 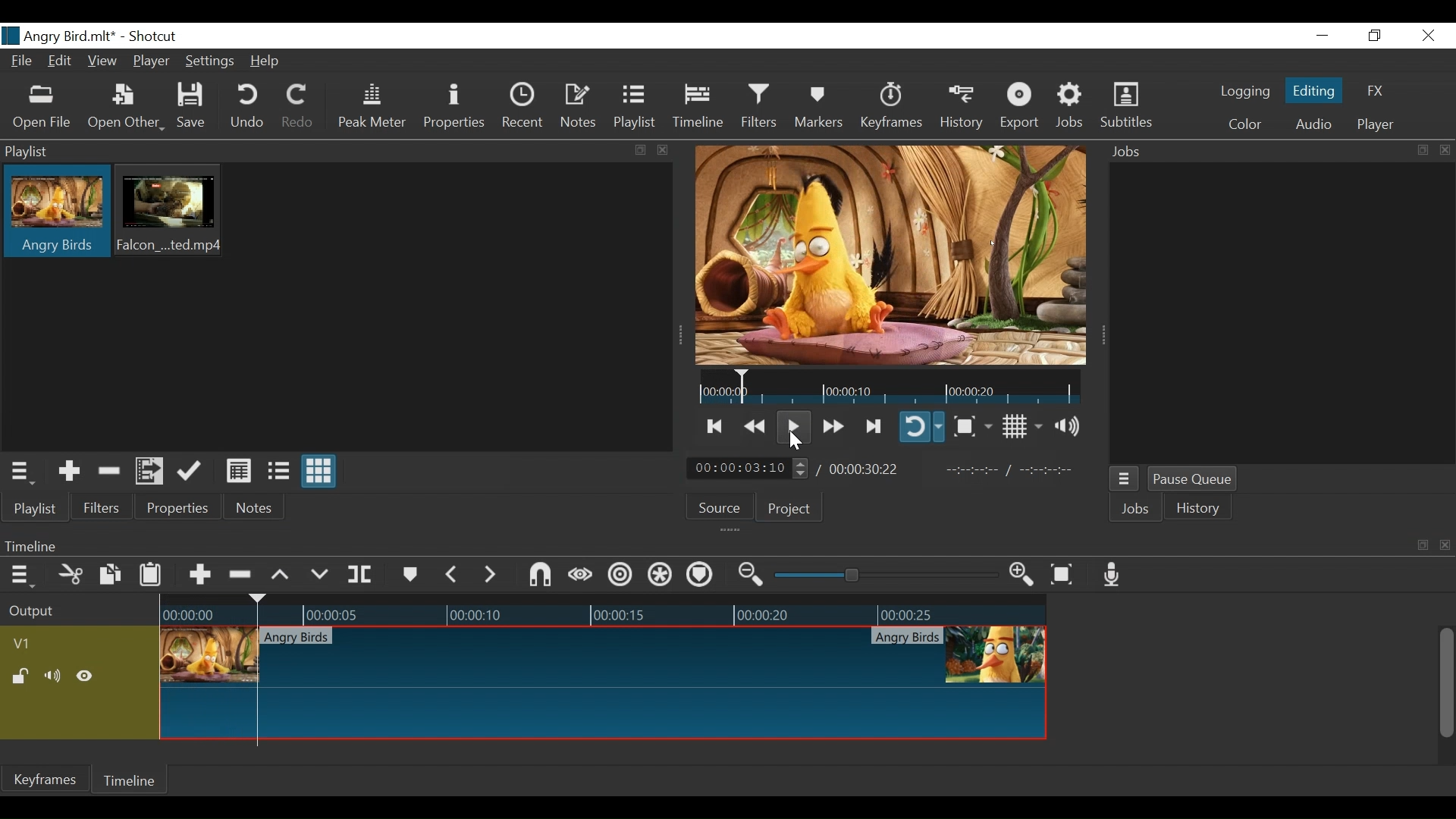 What do you see at coordinates (1373, 36) in the screenshot?
I see `Restore` at bounding box center [1373, 36].